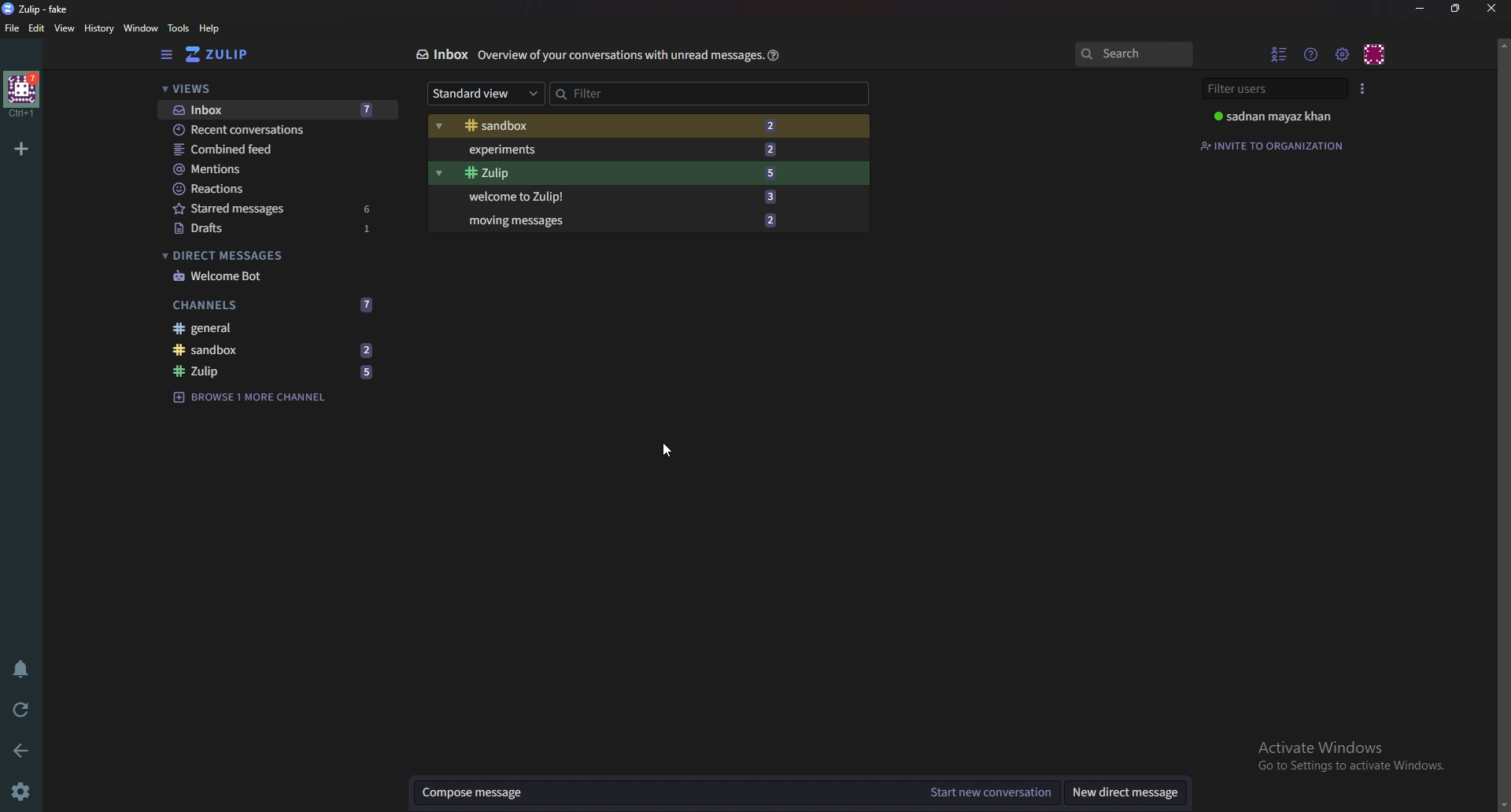 Image resolution: width=1511 pixels, height=812 pixels. I want to click on Add organization, so click(21, 148).